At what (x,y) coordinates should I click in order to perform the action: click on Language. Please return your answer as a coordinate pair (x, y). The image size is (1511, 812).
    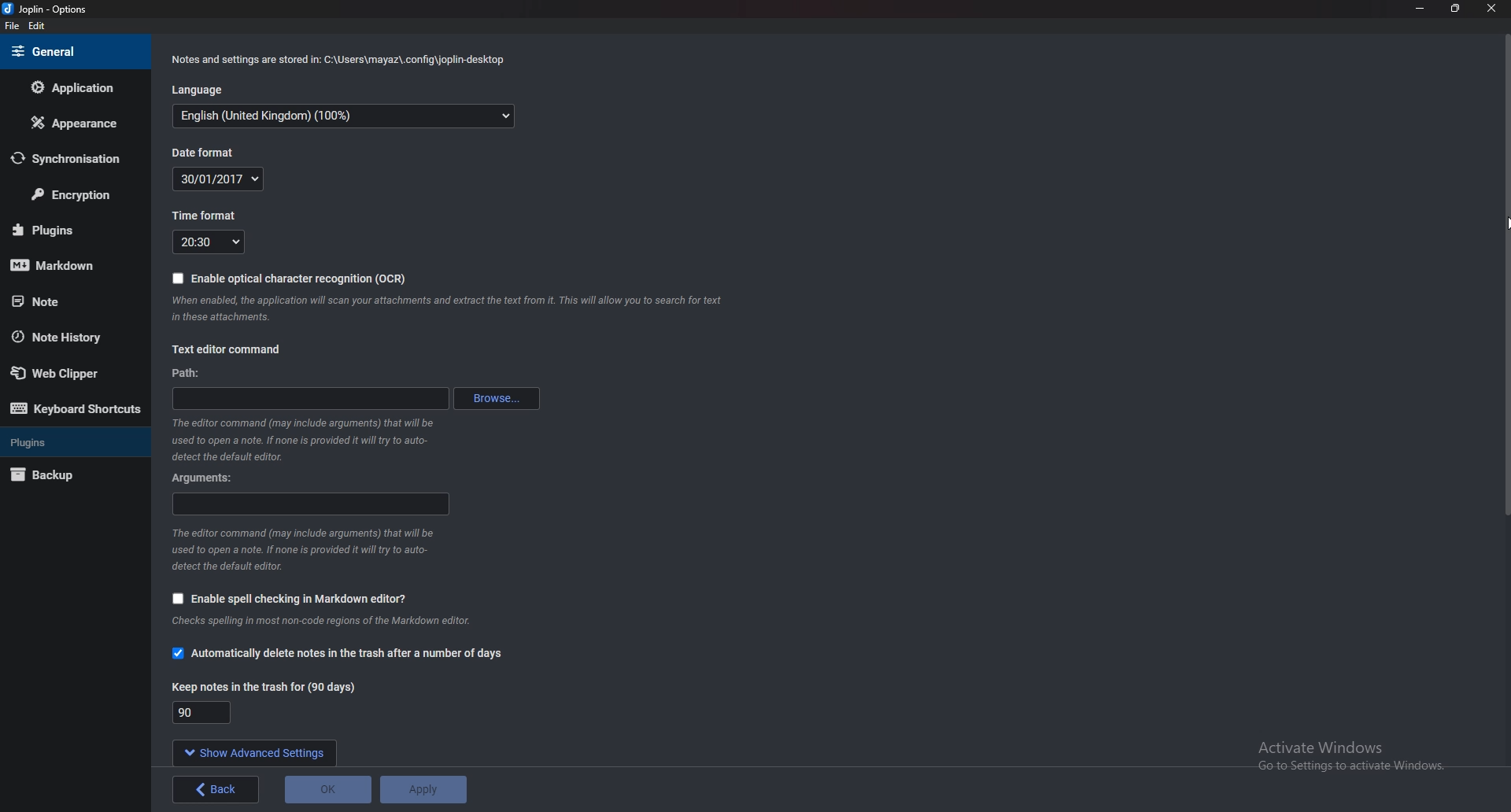
    Looking at the image, I should click on (202, 88).